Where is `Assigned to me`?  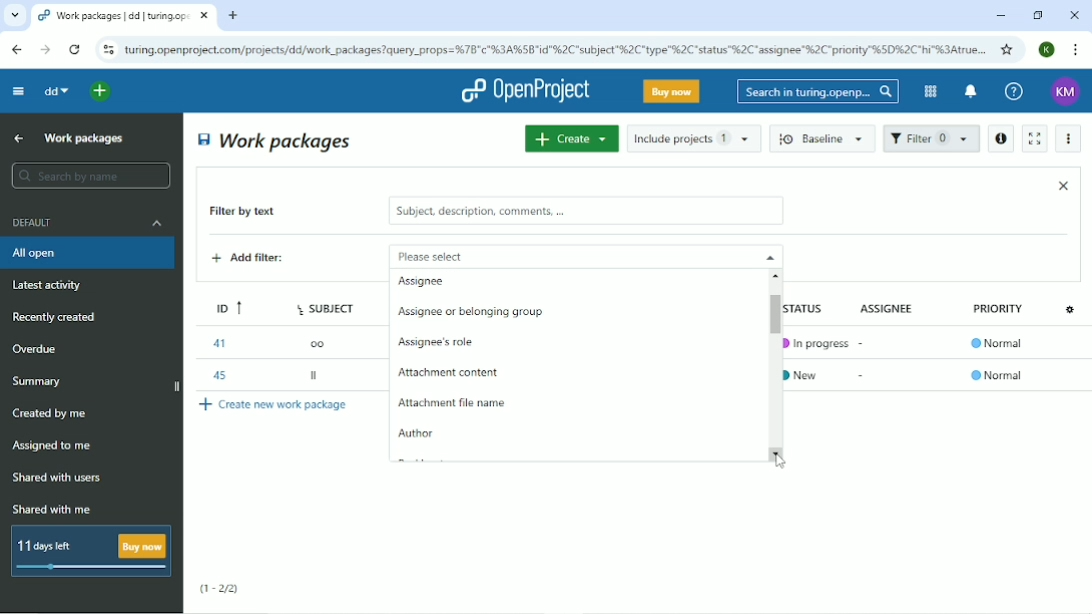 Assigned to me is located at coordinates (53, 446).